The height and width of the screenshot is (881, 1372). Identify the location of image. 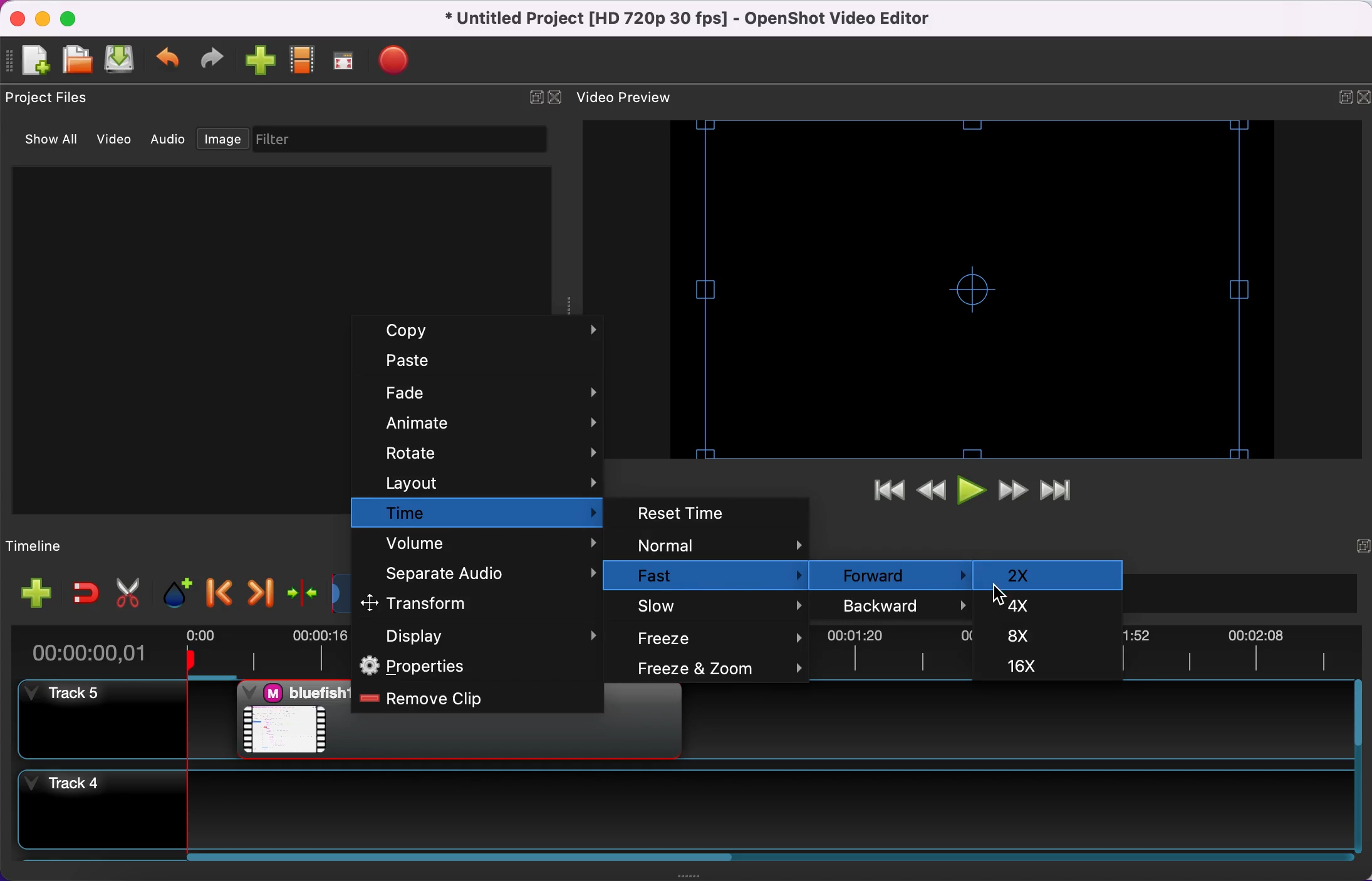
(221, 140).